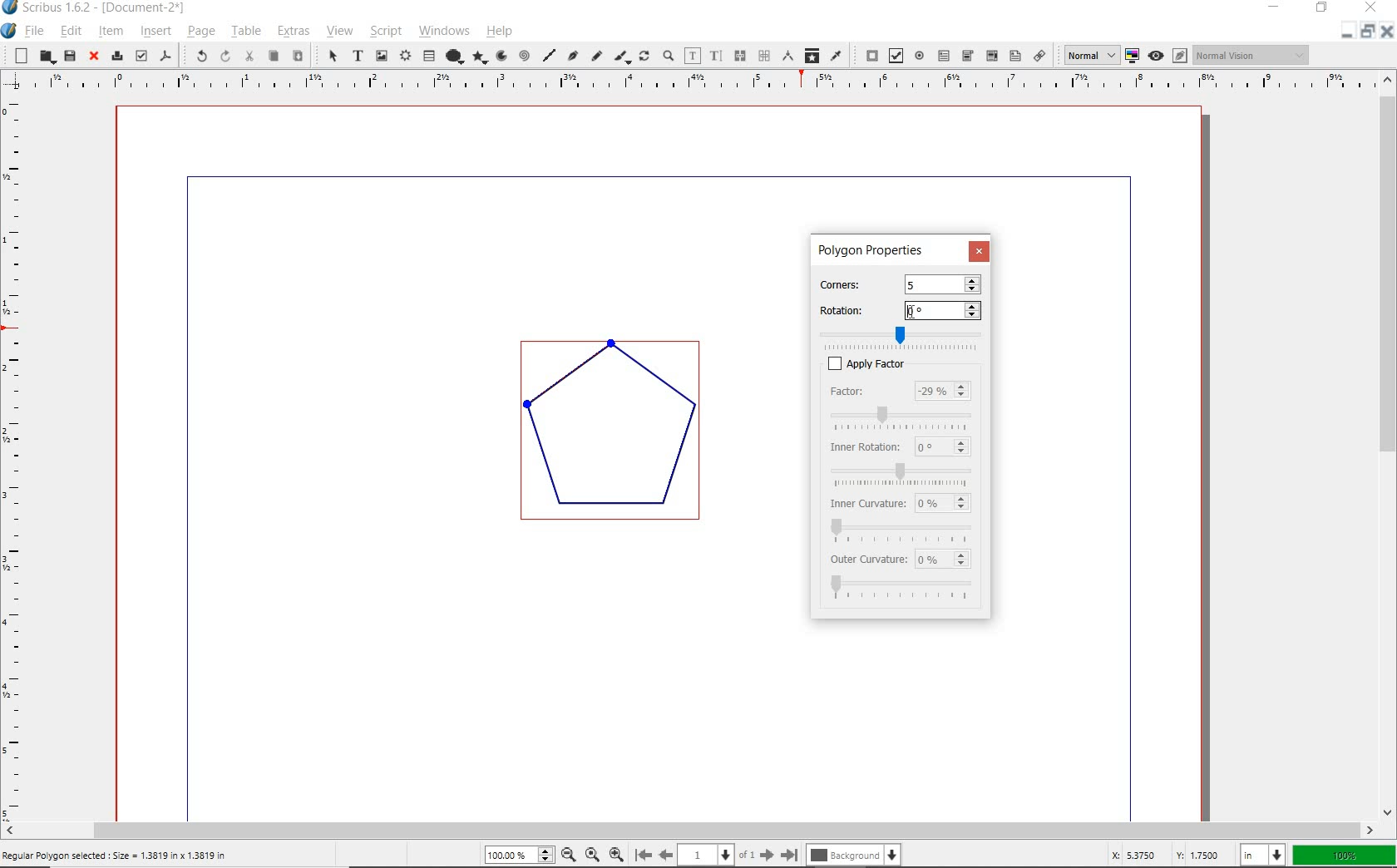 The image size is (1397, 868). What do you see at coordinates (622, 57) in the screenshot?
I see `calligraphic line` at bounding box center [622, 57].